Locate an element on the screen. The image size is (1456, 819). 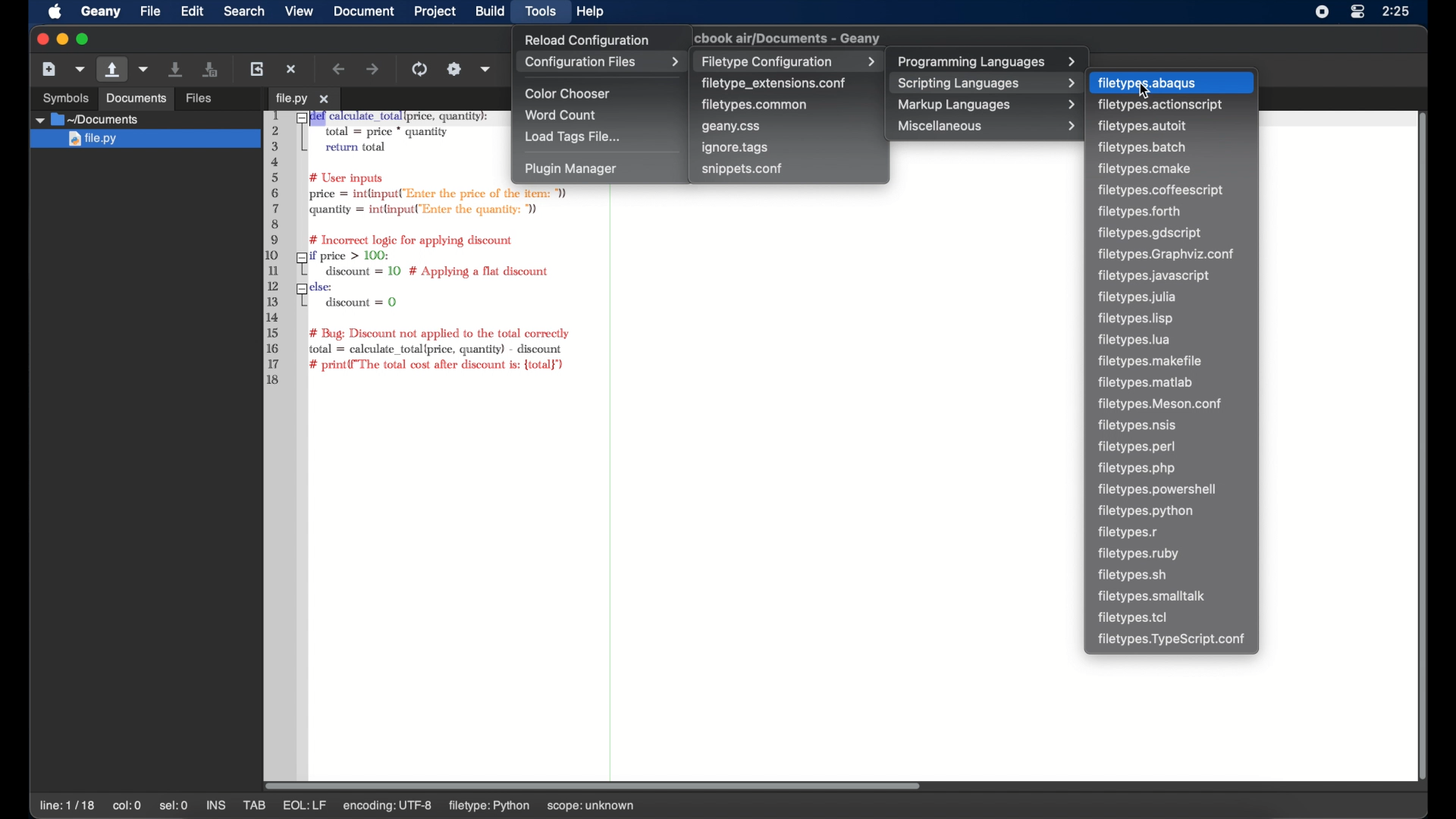
line: 17/18 is located at coordinates (69, 806).